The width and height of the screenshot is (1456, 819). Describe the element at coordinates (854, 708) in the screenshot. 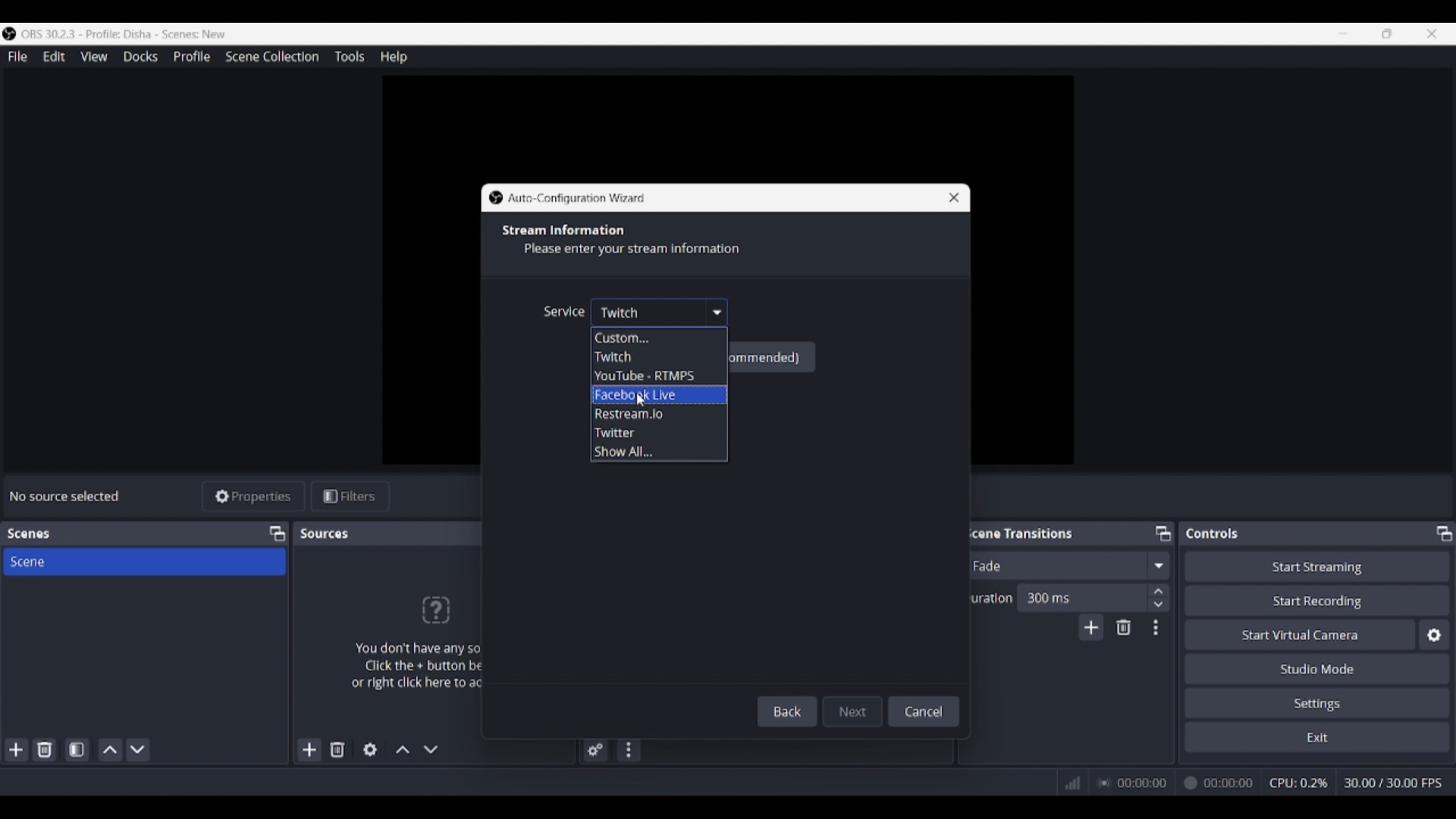

I see `Next` at that location.